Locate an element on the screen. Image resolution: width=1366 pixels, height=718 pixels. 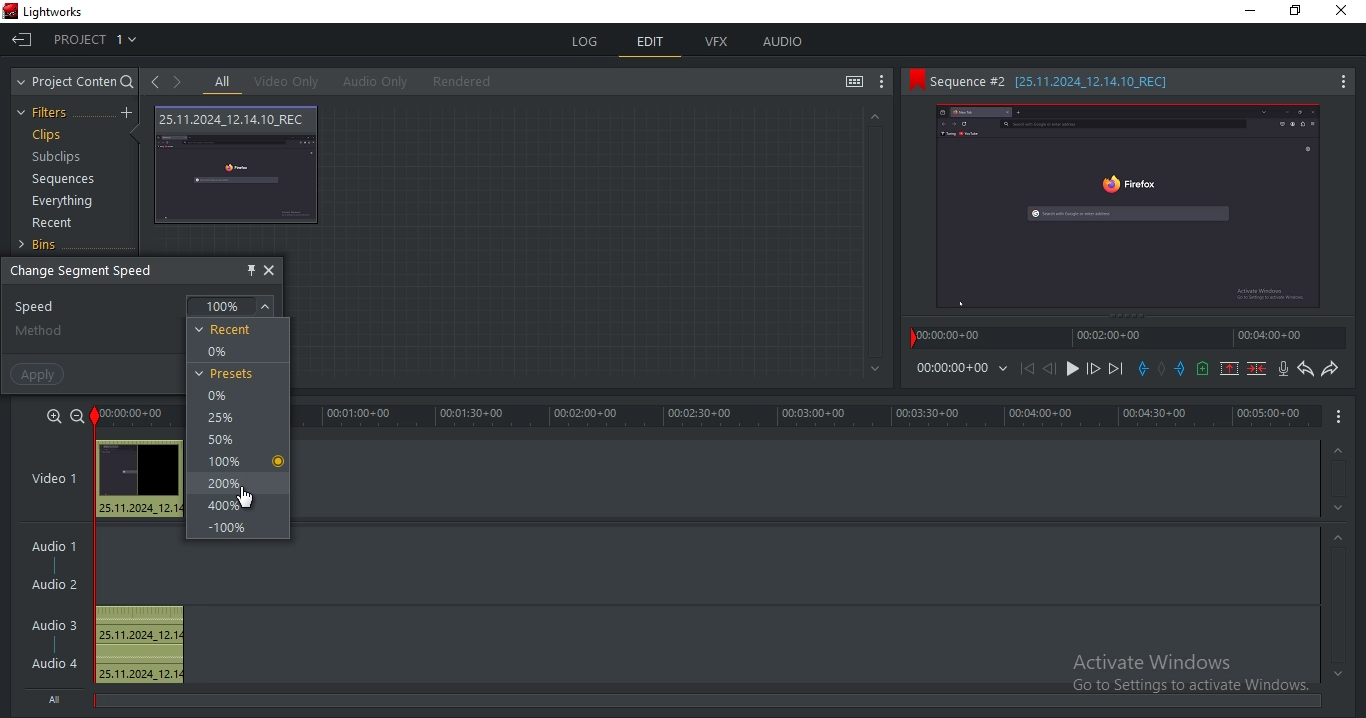
0% is located at coordinates (219, 396).